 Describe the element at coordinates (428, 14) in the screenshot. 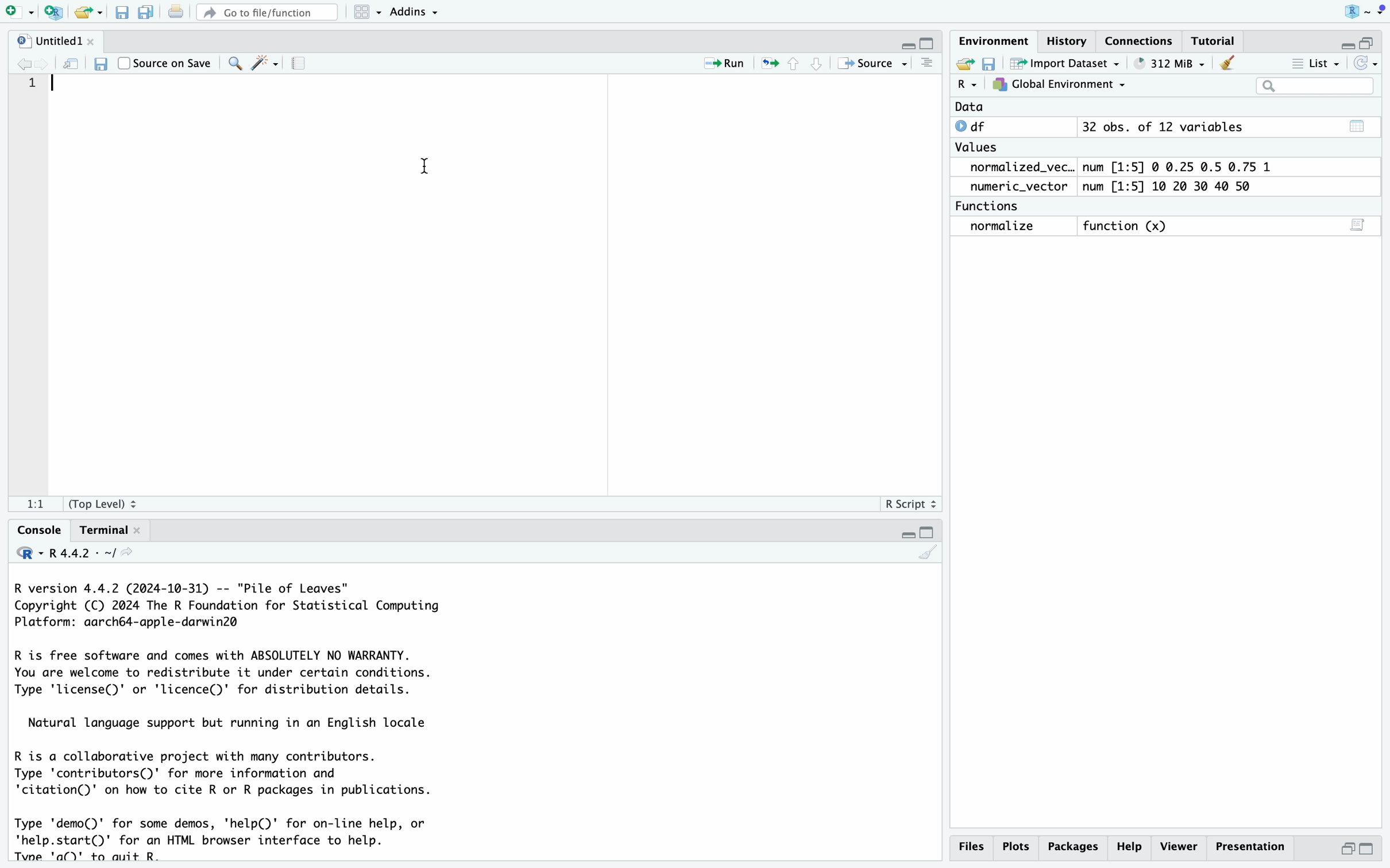

I see `~ Addins ~` at that location.